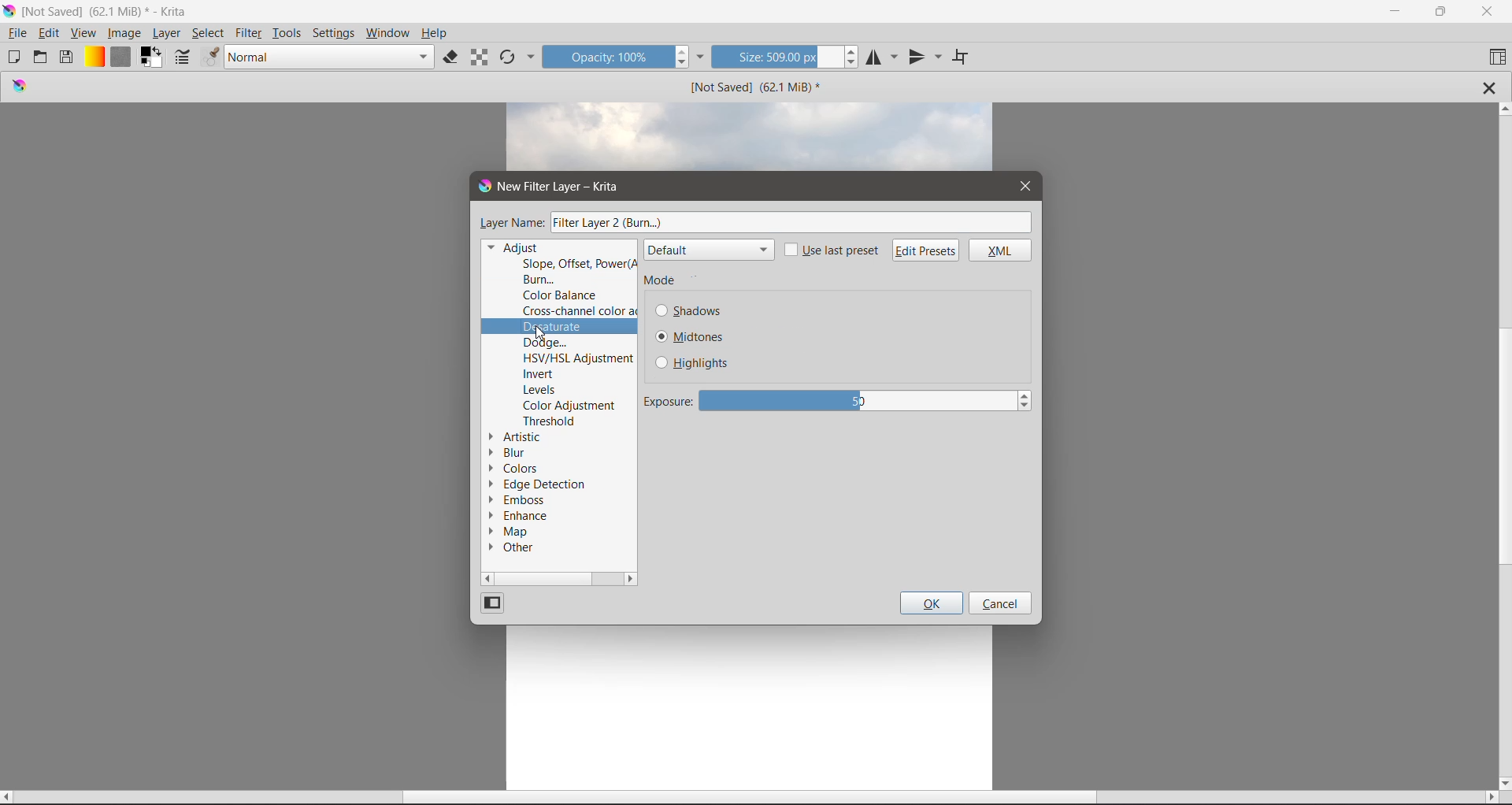 This screenshot has height=805, width=1512. I want to click on Burn, so click(540, 280).